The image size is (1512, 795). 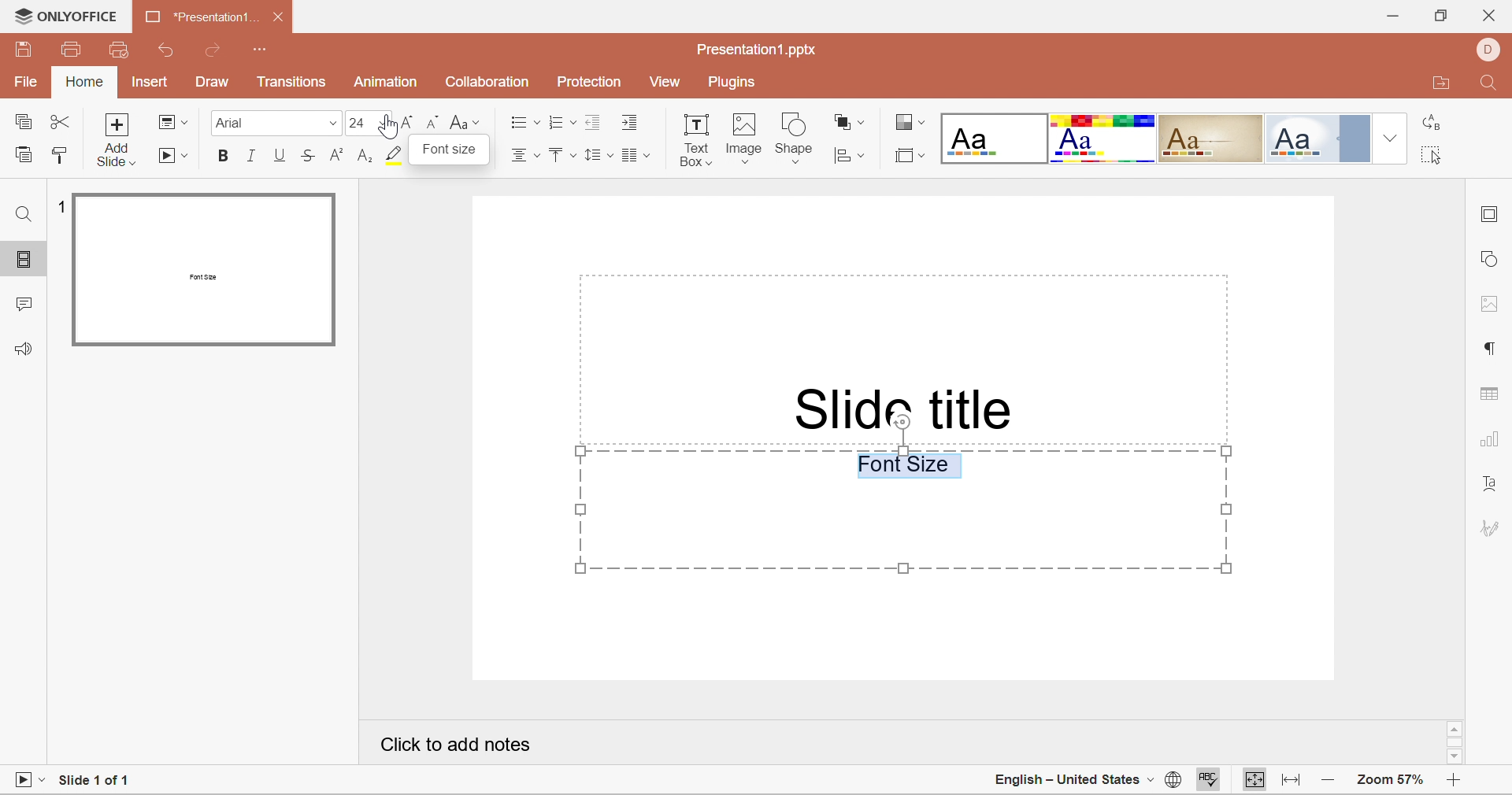 I want to click on Cursor, so click(x=388, y=128).